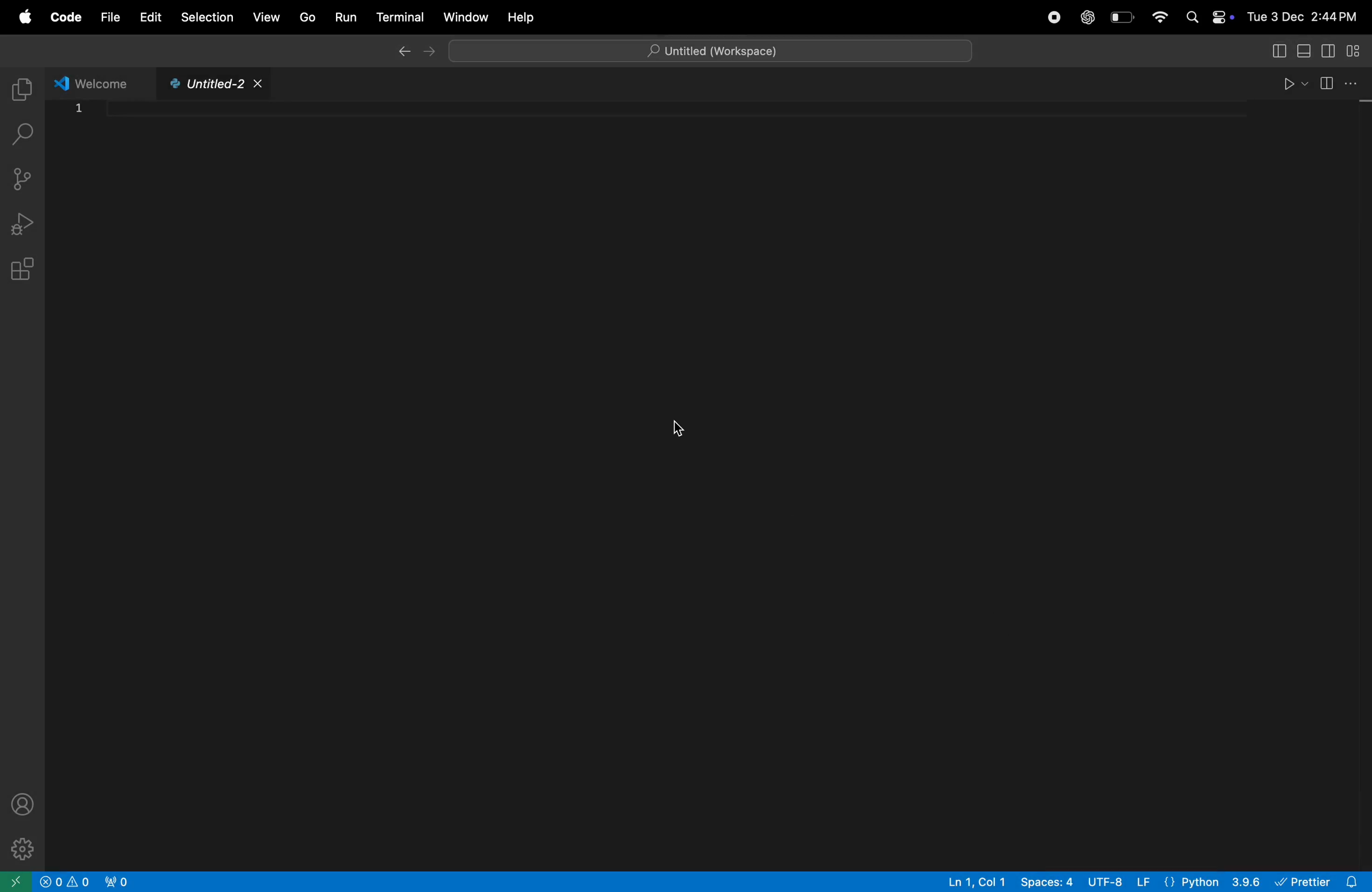  Describe the element at coordinates (679, 429) in the screenshot. I see `cursor` at that location.